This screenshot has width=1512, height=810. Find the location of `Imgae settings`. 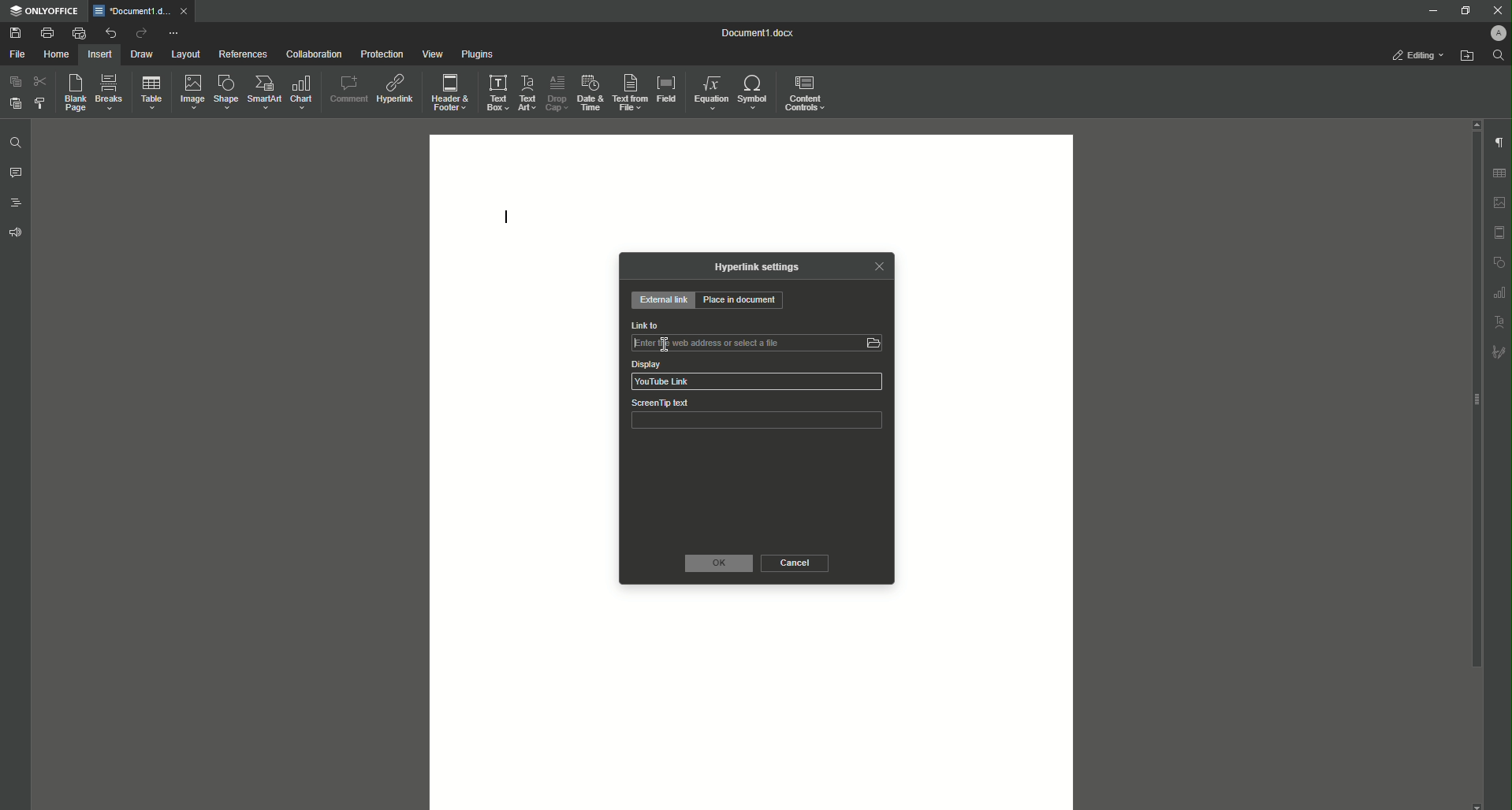

Imgae settings is located at coordinates (1500, 203).